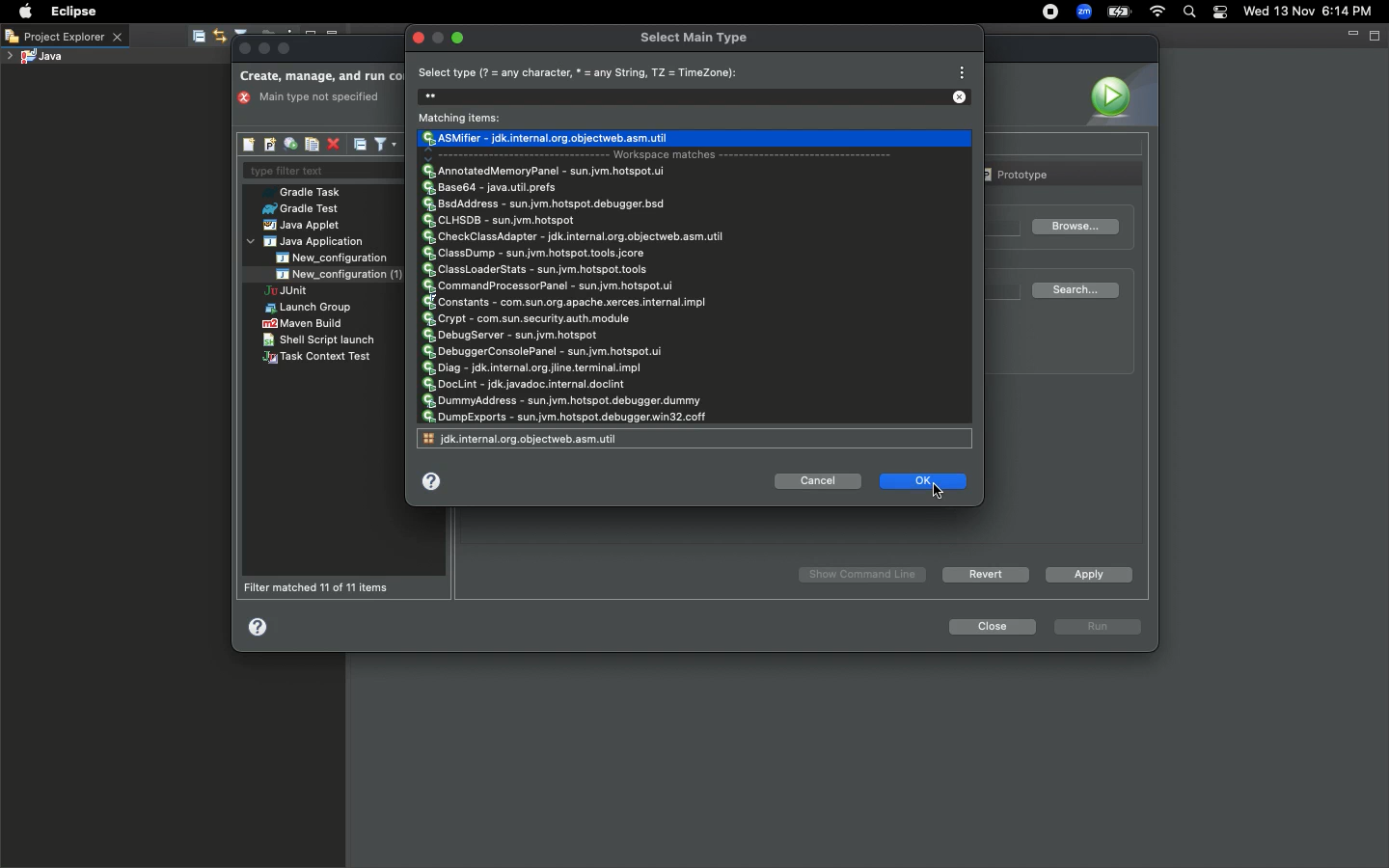 The image size is (1389, 868). What do you see at coordinates (464, 39) in the screenshot?
I see `maximize` at bounding box center [464, 39].